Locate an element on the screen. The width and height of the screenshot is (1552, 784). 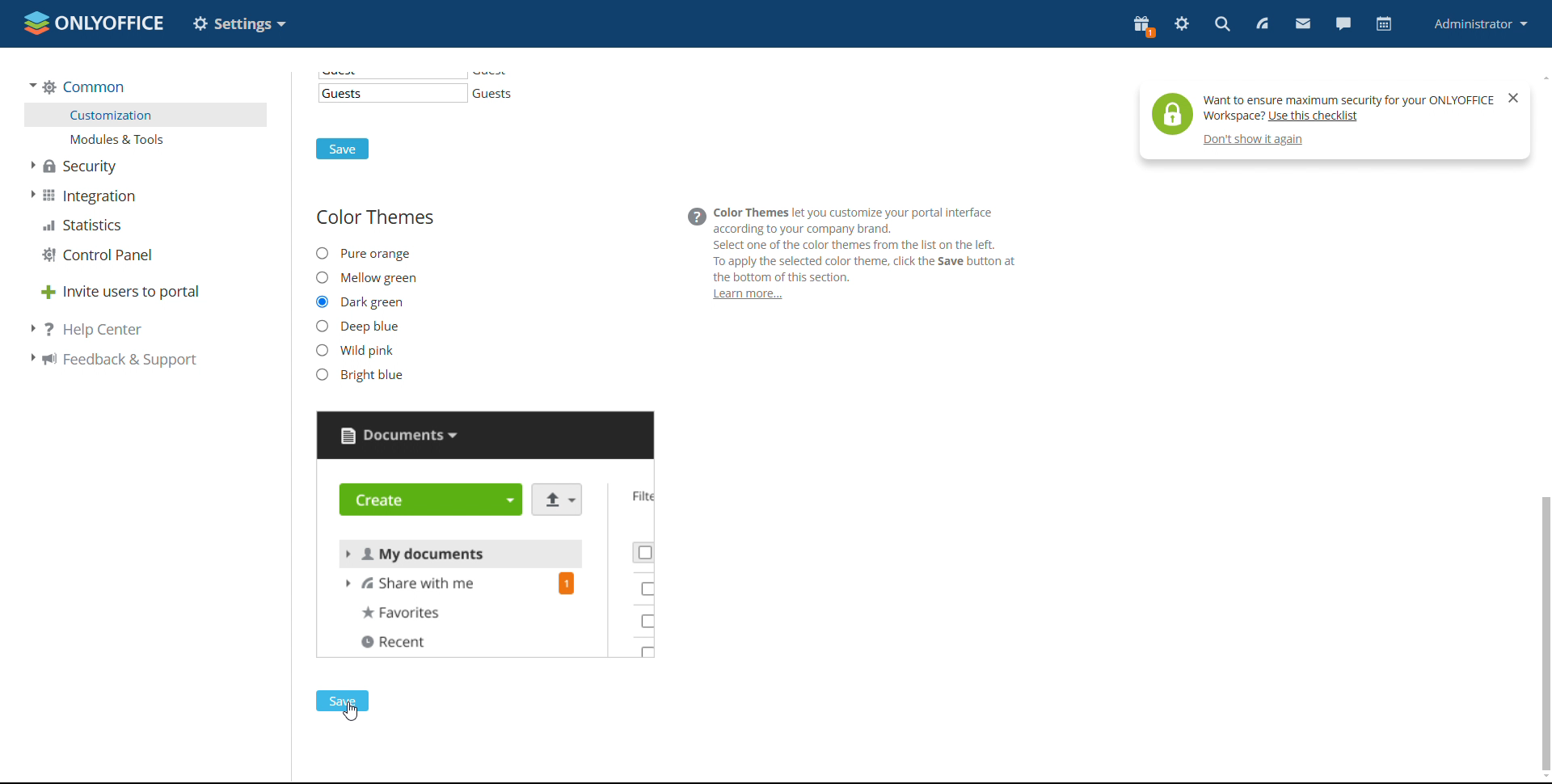
color themes is located at coordinates (375, 217).